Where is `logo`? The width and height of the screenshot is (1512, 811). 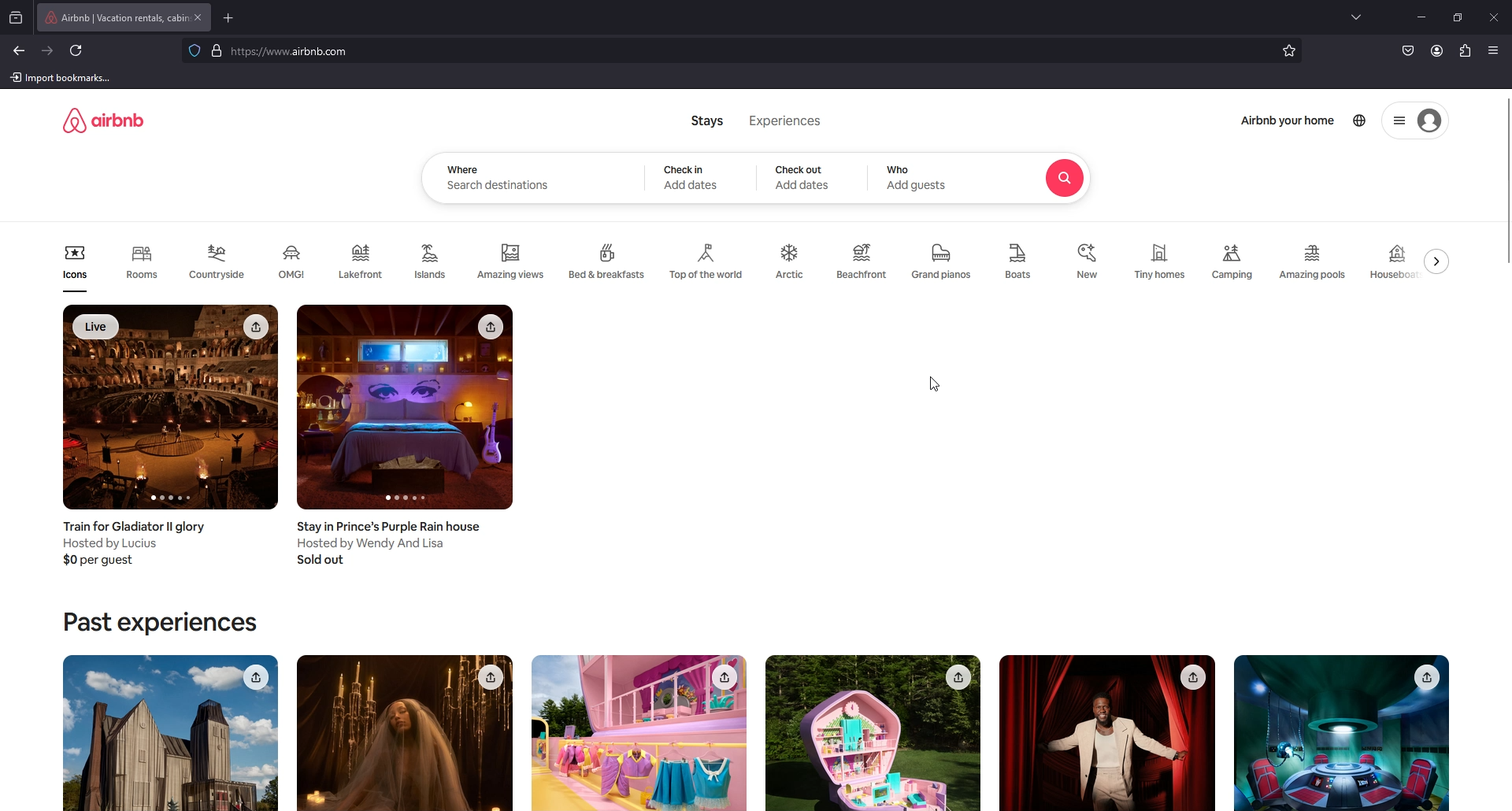 logo is located at coordinates (103, 120).